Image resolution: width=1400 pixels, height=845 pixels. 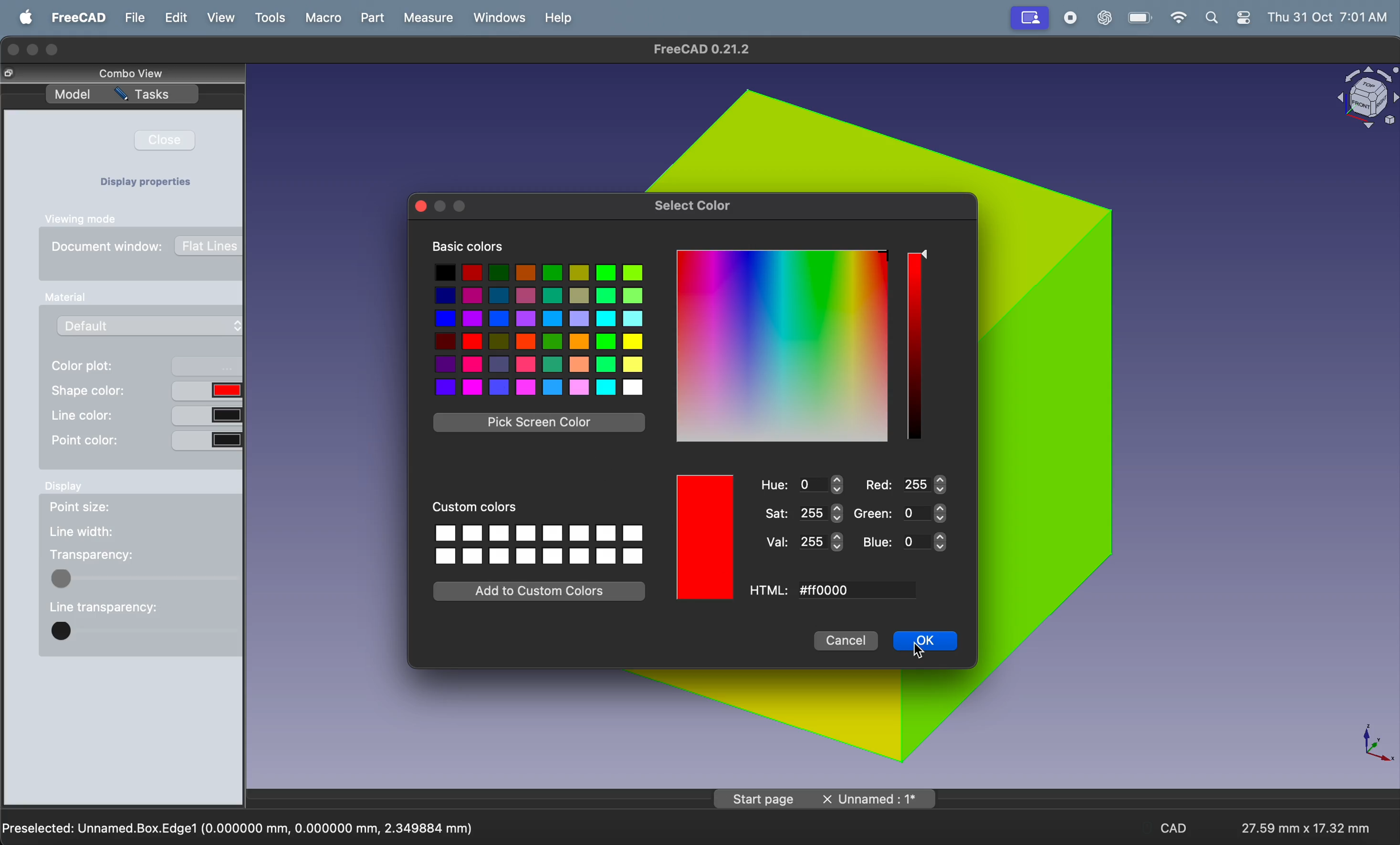 I want to click on windows, so click(x=498, y=18).